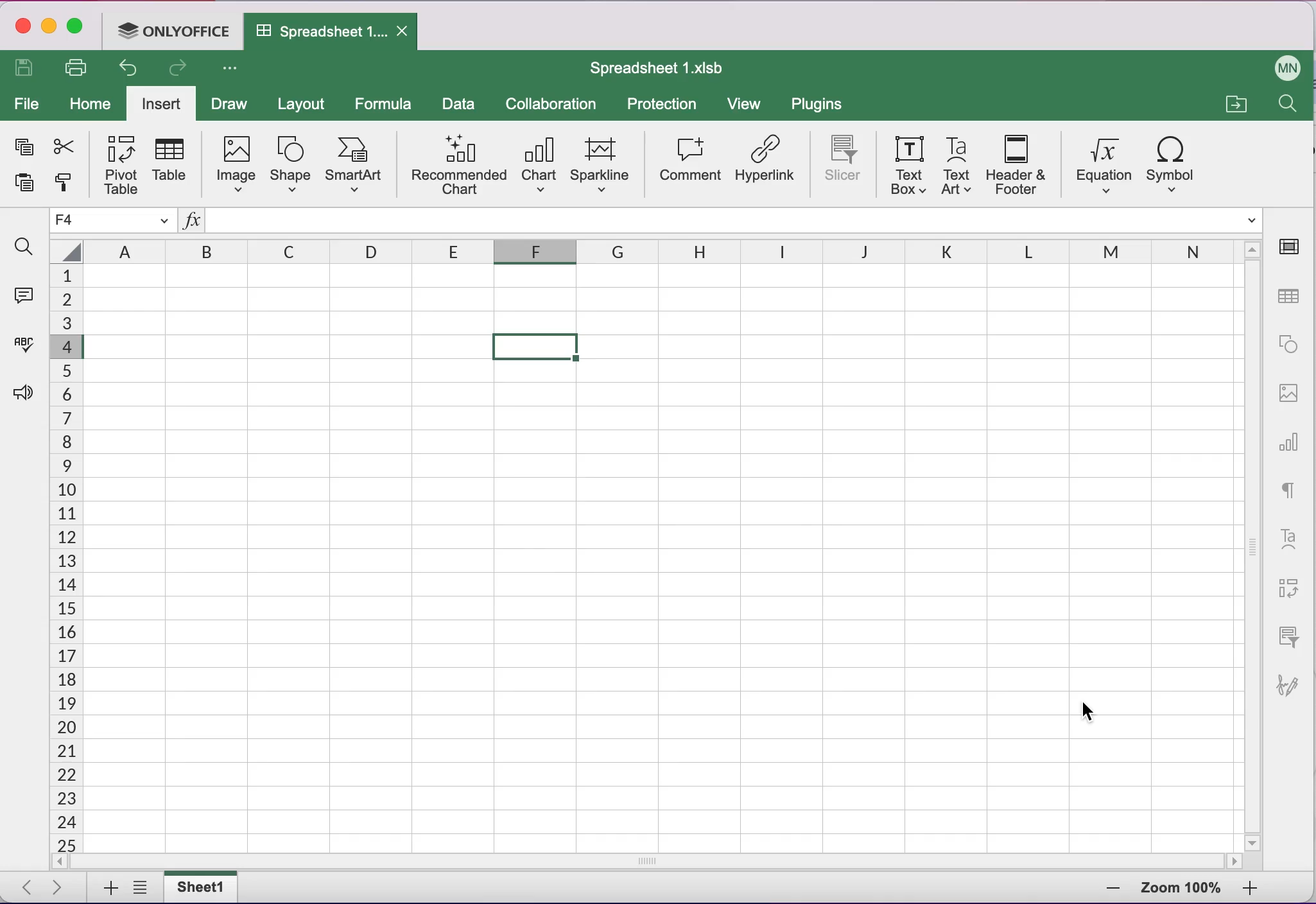  What do you see at coordinates (1254, 544) in the screenshot?
I see `vertical slider` at bounding box center [1254, 544].